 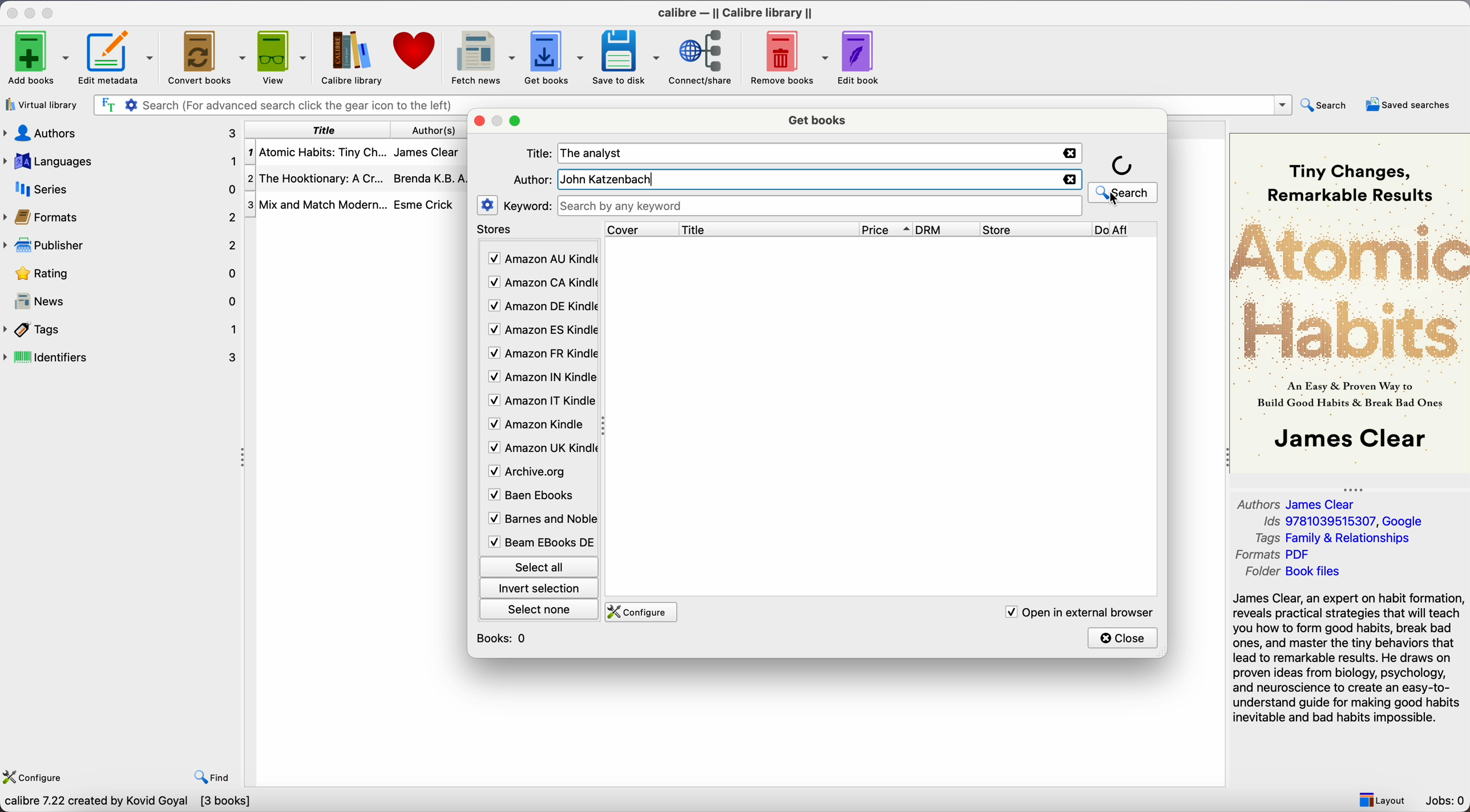 What do you see at coordinates (50, 11) in the screenshot?
I see `maximize` at bounding box center [50, 11].